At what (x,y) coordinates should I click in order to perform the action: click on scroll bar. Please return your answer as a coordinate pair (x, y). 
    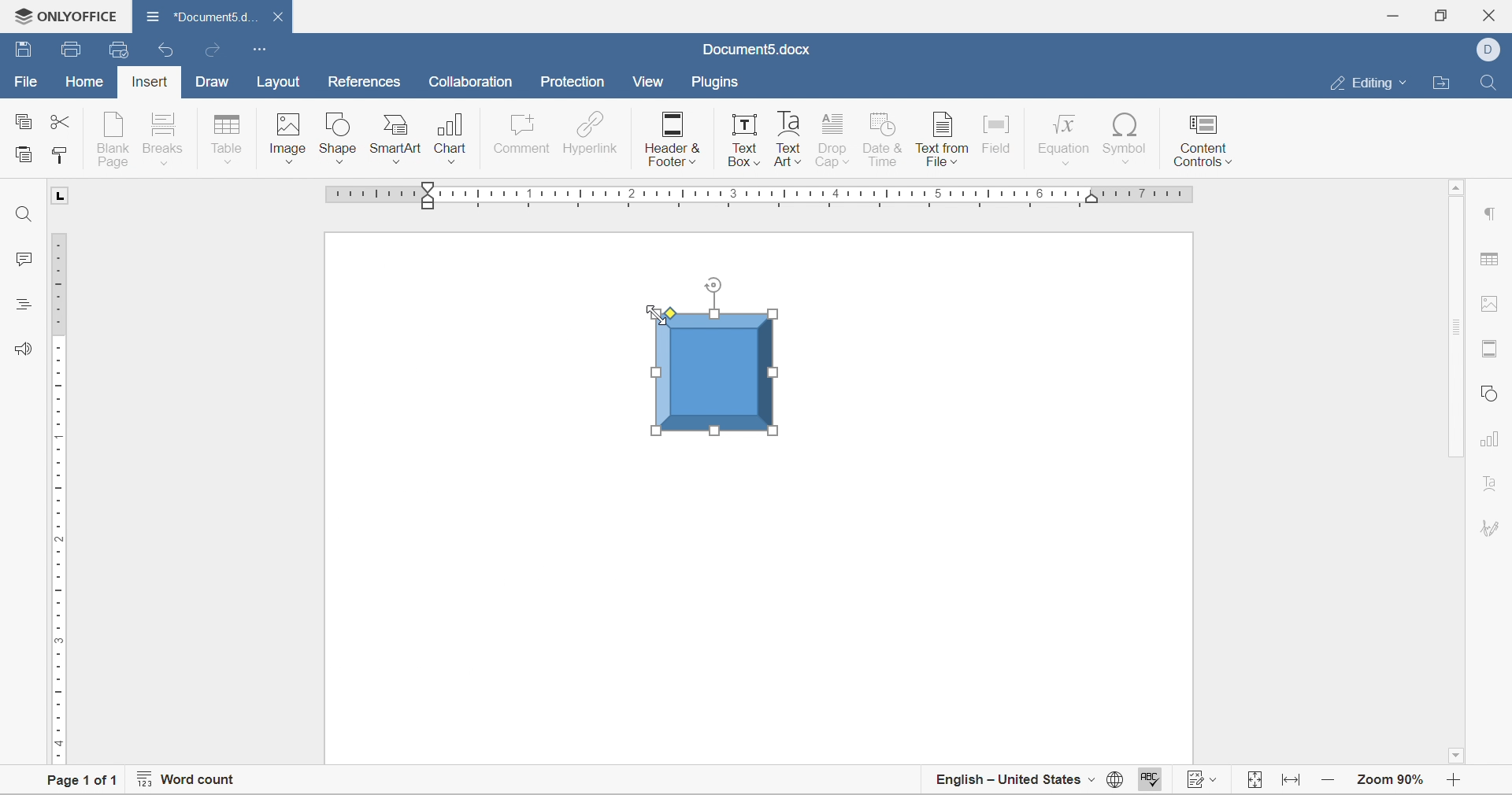
    Looking at the image, I should click on (1458, 326).